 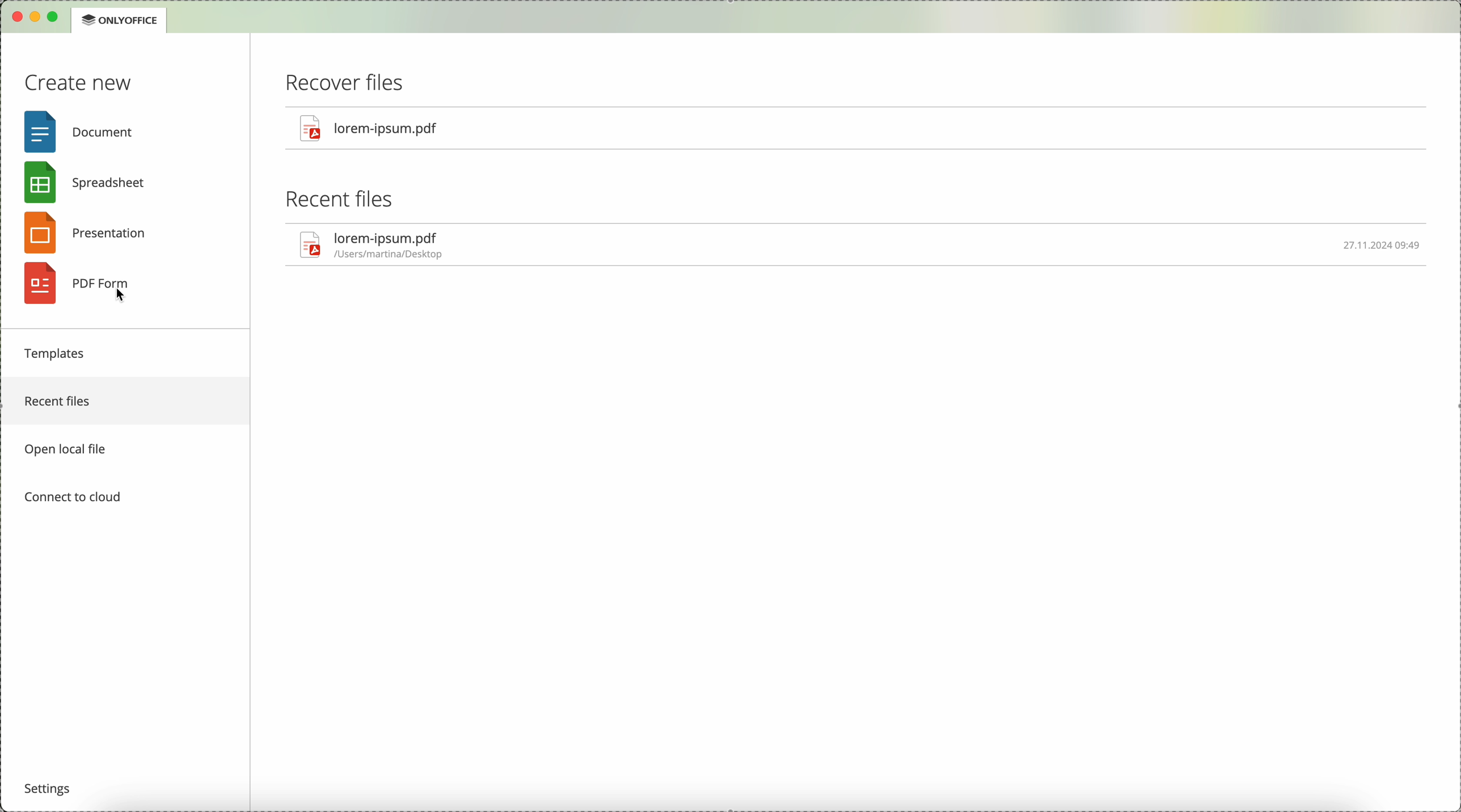 What do you see at coordinates (95, 232) in the screenshot?
I see `presentation` at bounding box center [95, 232].